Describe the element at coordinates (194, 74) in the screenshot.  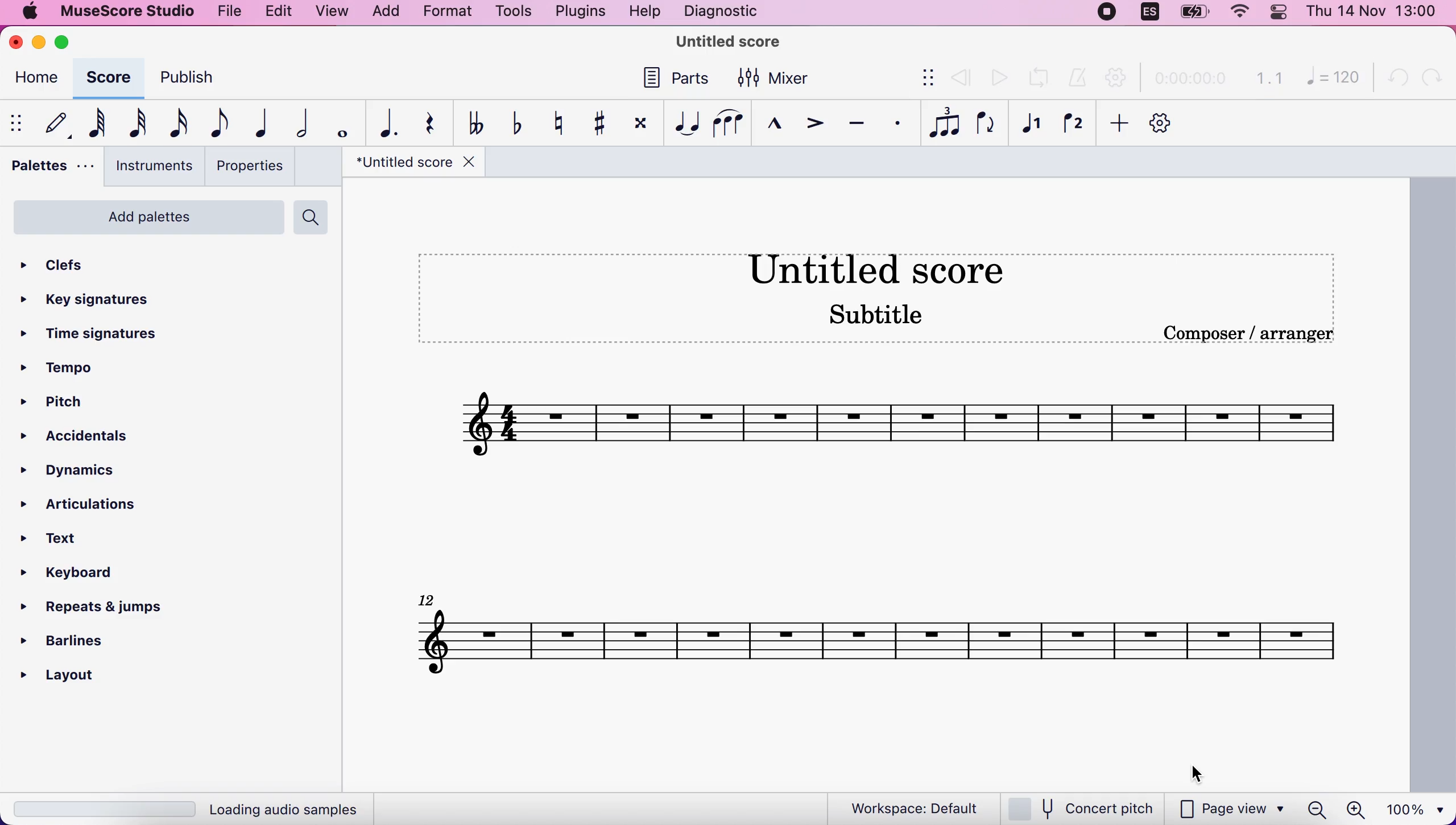
I see `publish` at that location.